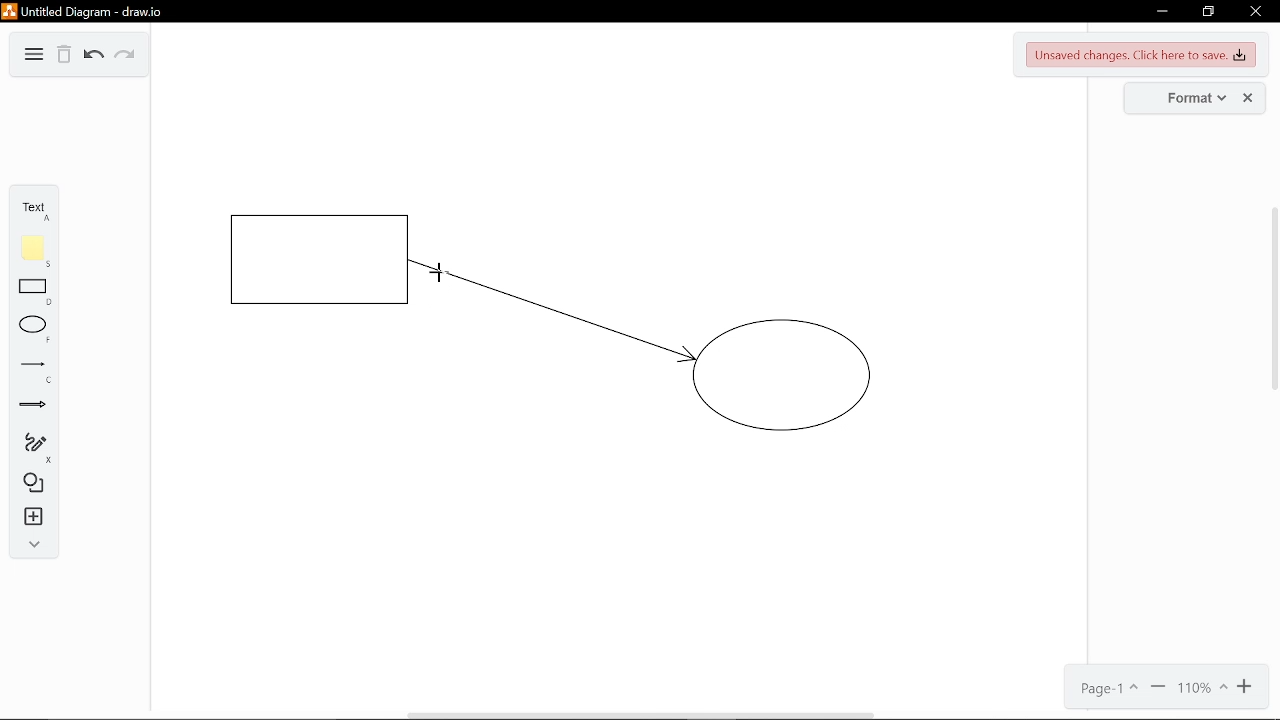 The width and height of the screenshot is (1280, 720). I want to click on Close, so click(1257, 10).